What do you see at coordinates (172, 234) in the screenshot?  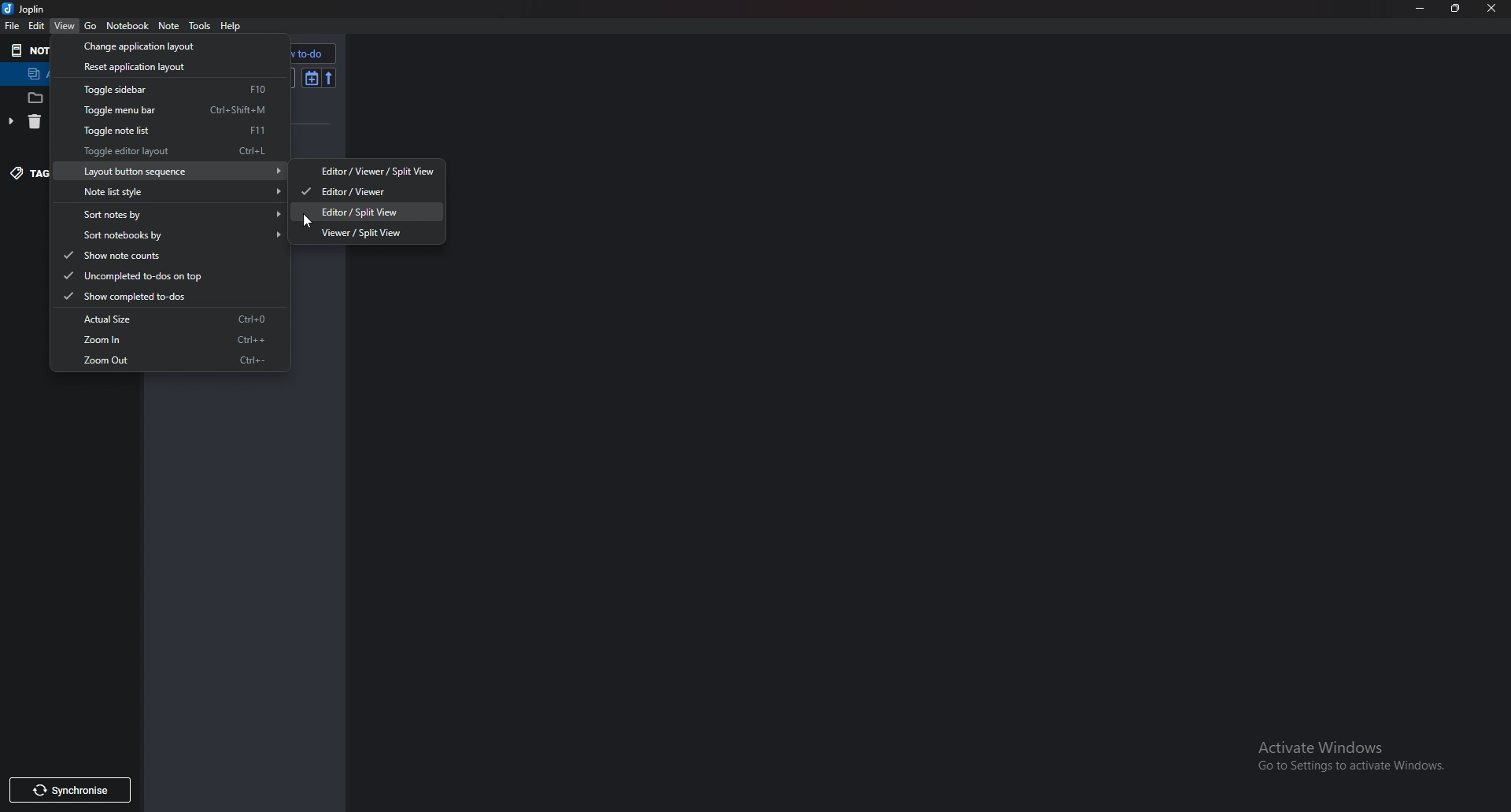 I see `sort notebook by` at bounding box center [172, 234].